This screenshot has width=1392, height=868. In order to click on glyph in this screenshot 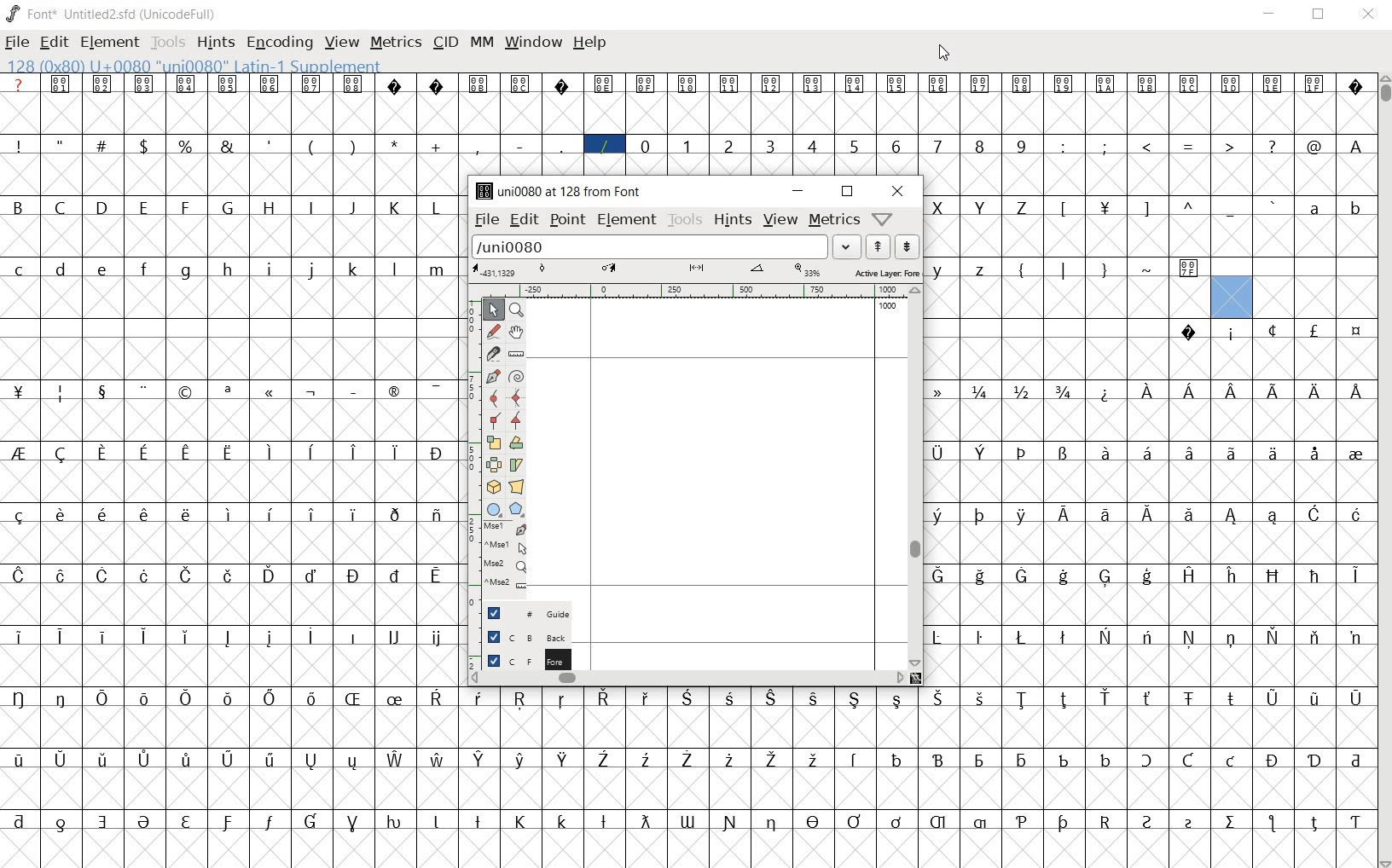, I will do `click(102, 84)`.